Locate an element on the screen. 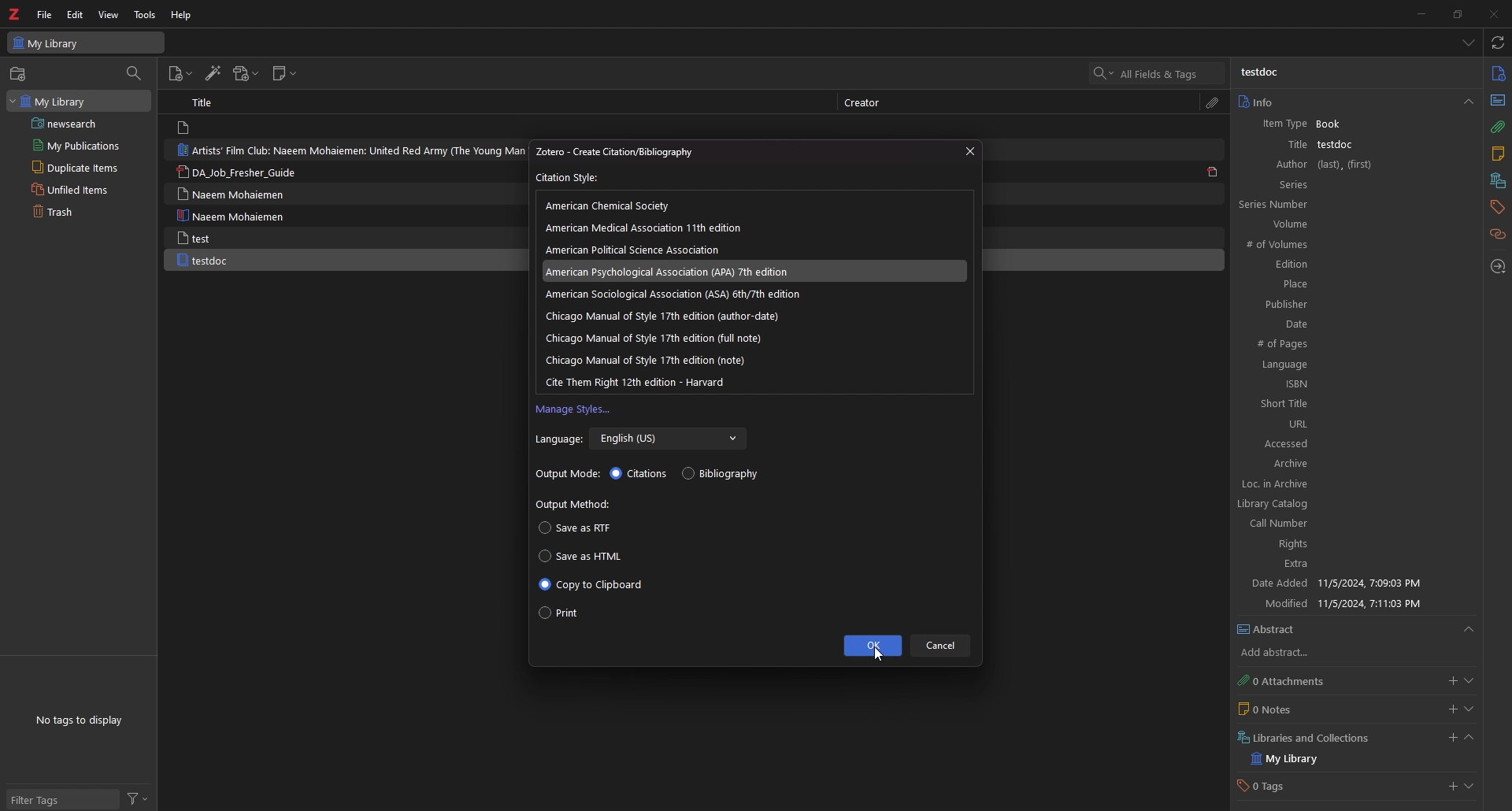 The width and height of the screenshot is (1512, 811). add tags is located at coordinates (1451, 788).